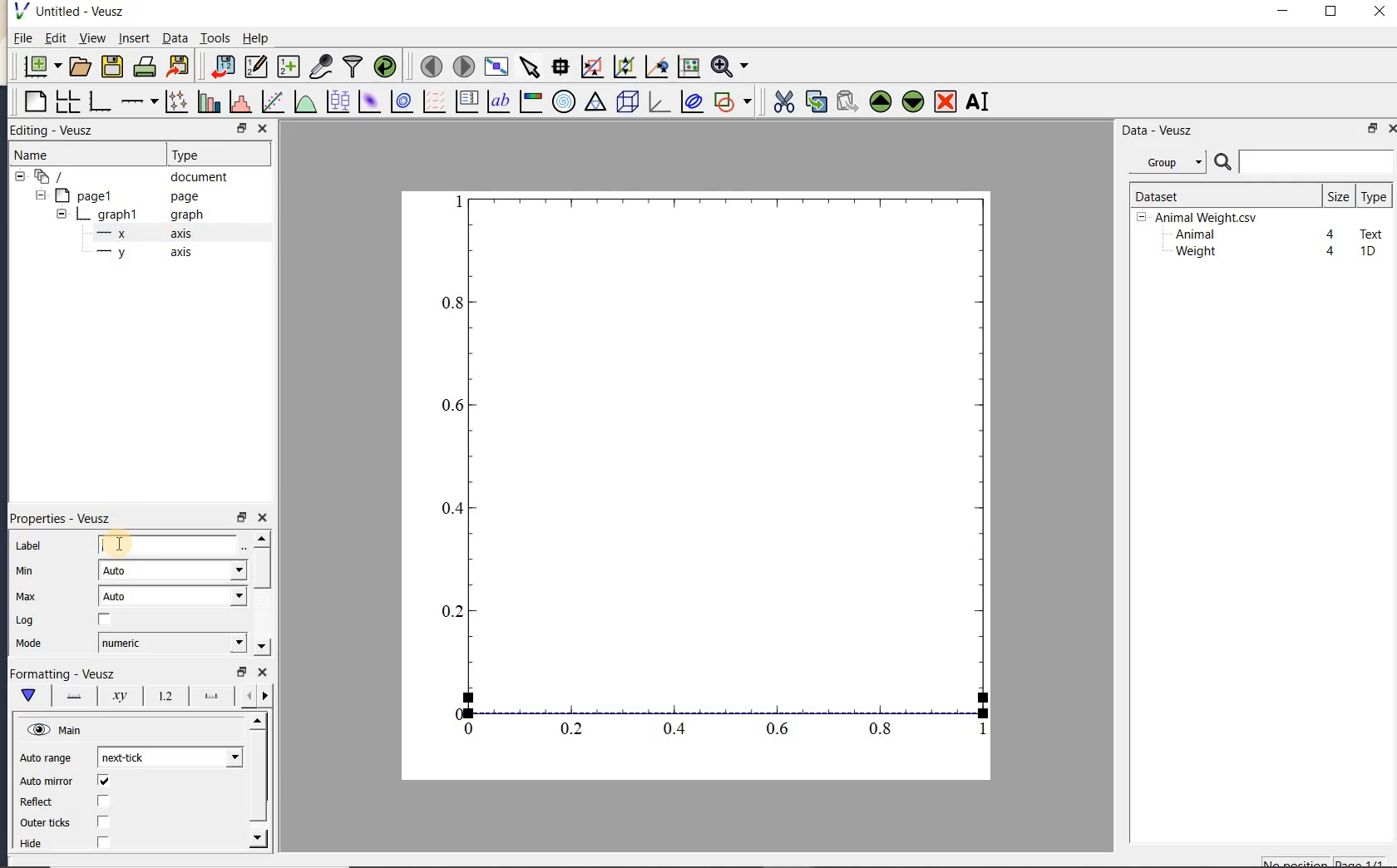  I want to click on Auto, so click(172, 570).